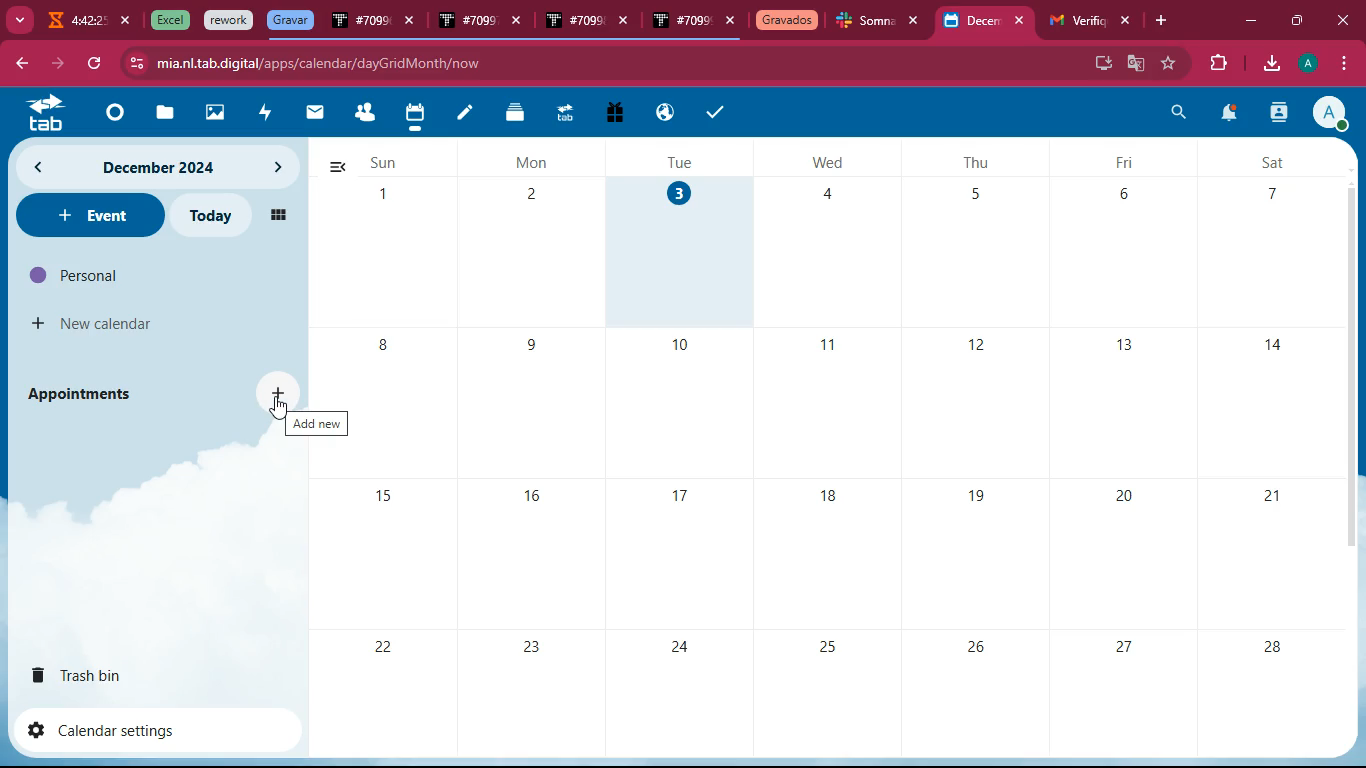  What do you see at coordinates (718, 111) in the screenshot?
I see `taks` at bounding box center [718, 111].